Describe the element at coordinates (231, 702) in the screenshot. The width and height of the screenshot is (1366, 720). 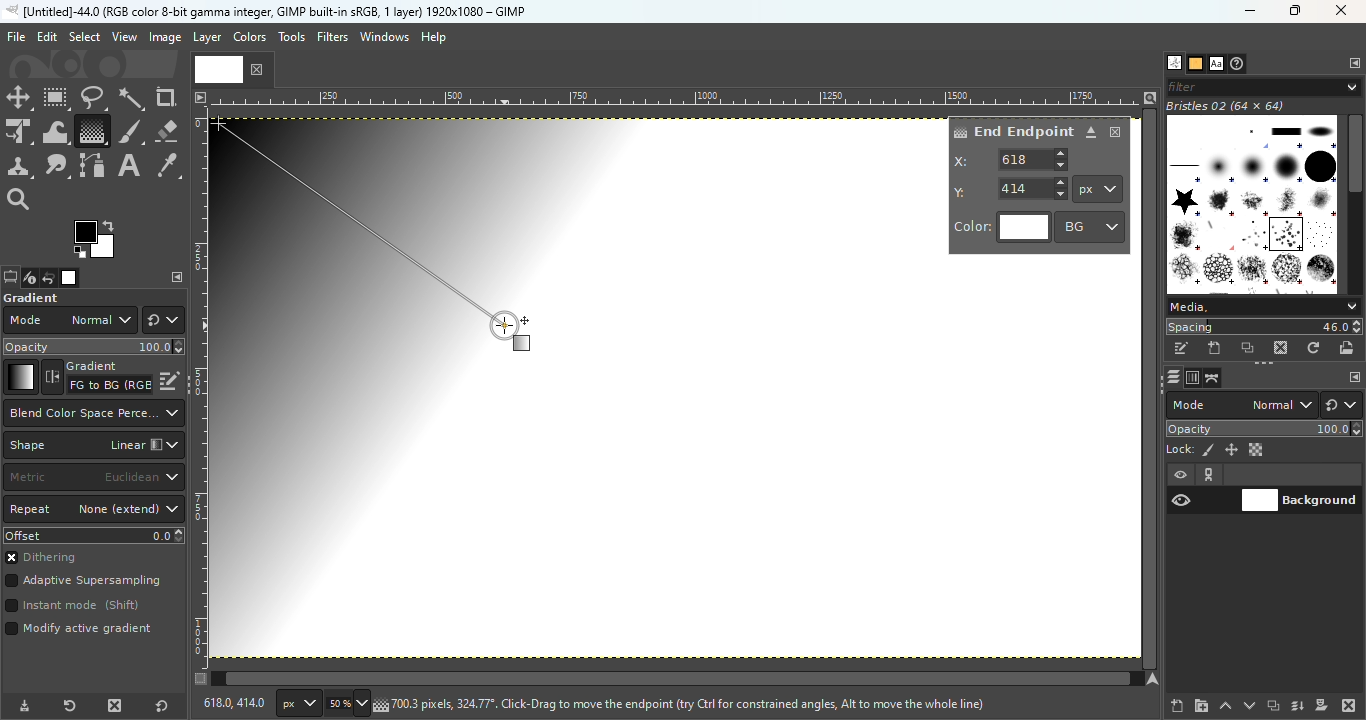
I see `460,100` at that location.